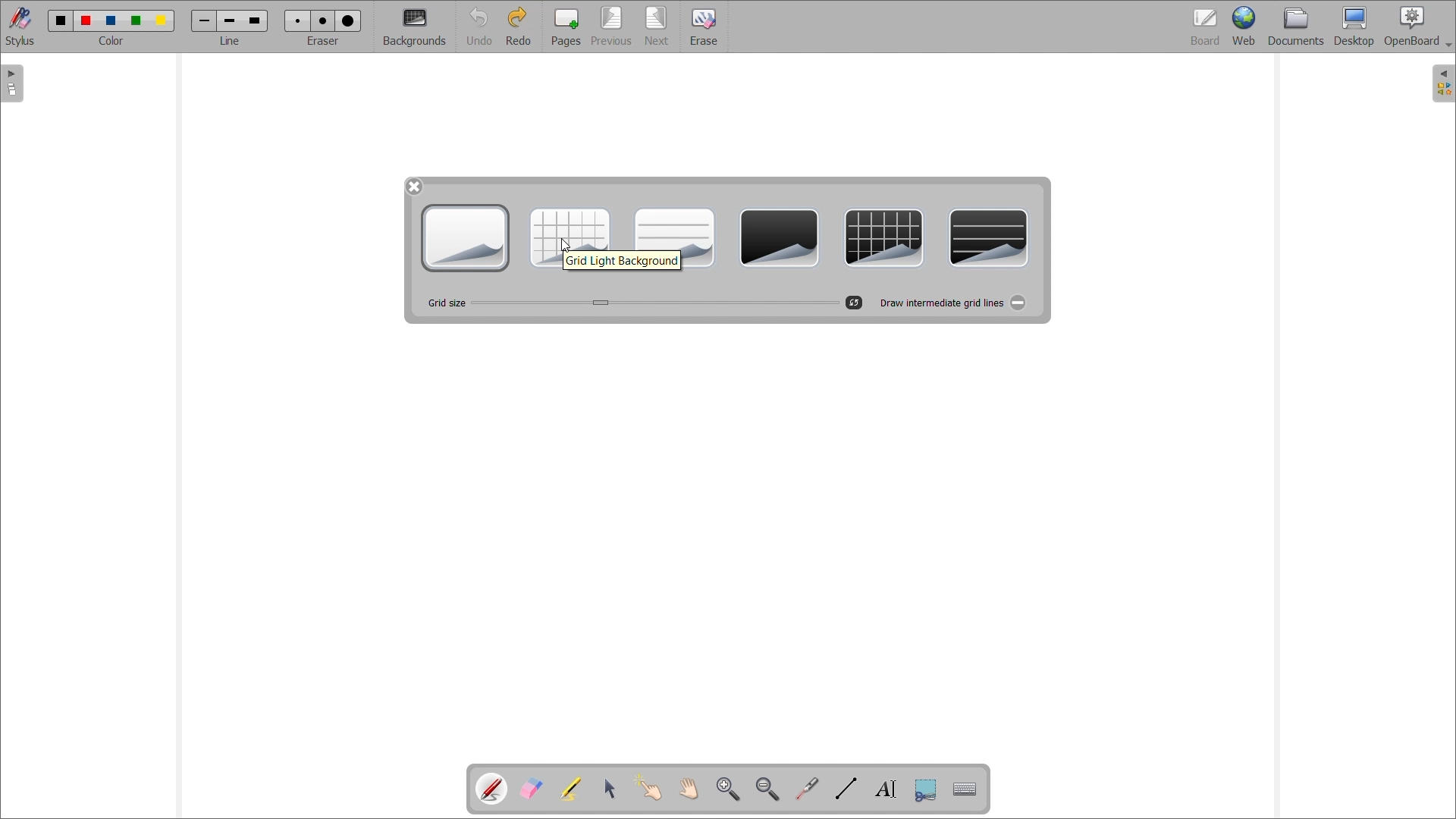  Describe the element at coordinates (940, 302) in the screenshot. I see `draw grid lines` at that location.